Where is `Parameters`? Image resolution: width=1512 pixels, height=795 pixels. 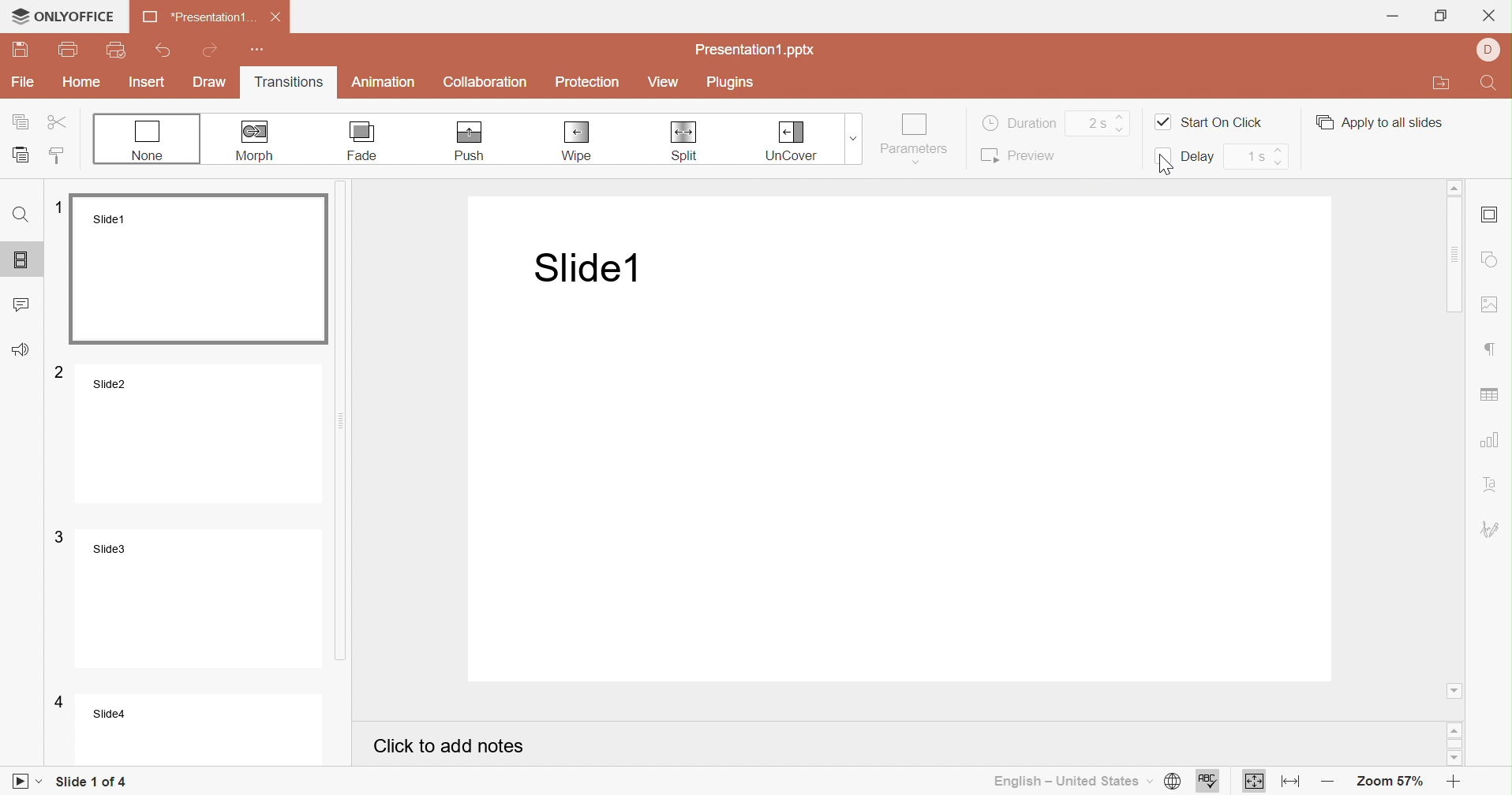
Parameters is located at coordinates (915, 138).